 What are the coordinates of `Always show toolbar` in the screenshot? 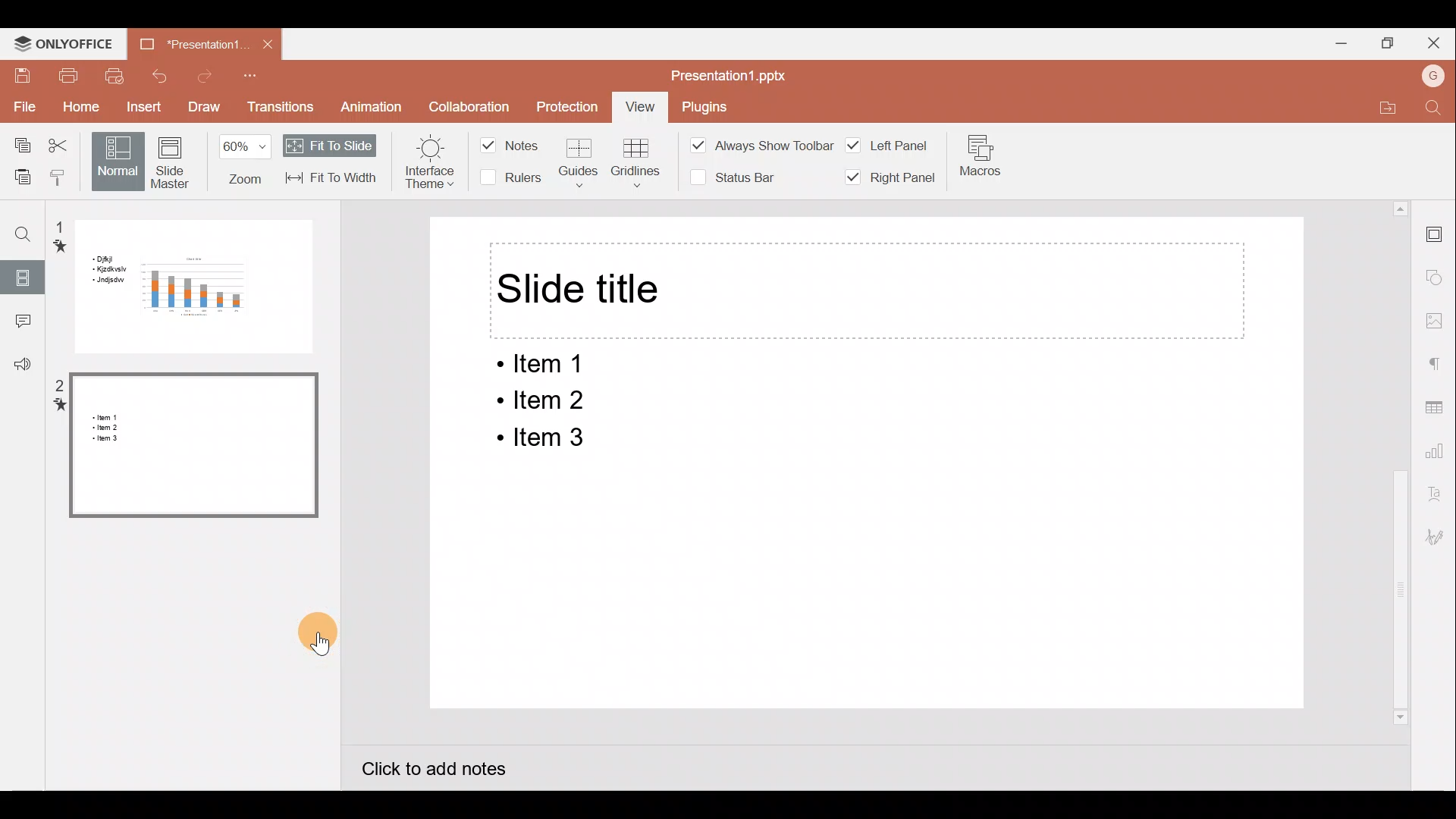 It's located at (763, 146).